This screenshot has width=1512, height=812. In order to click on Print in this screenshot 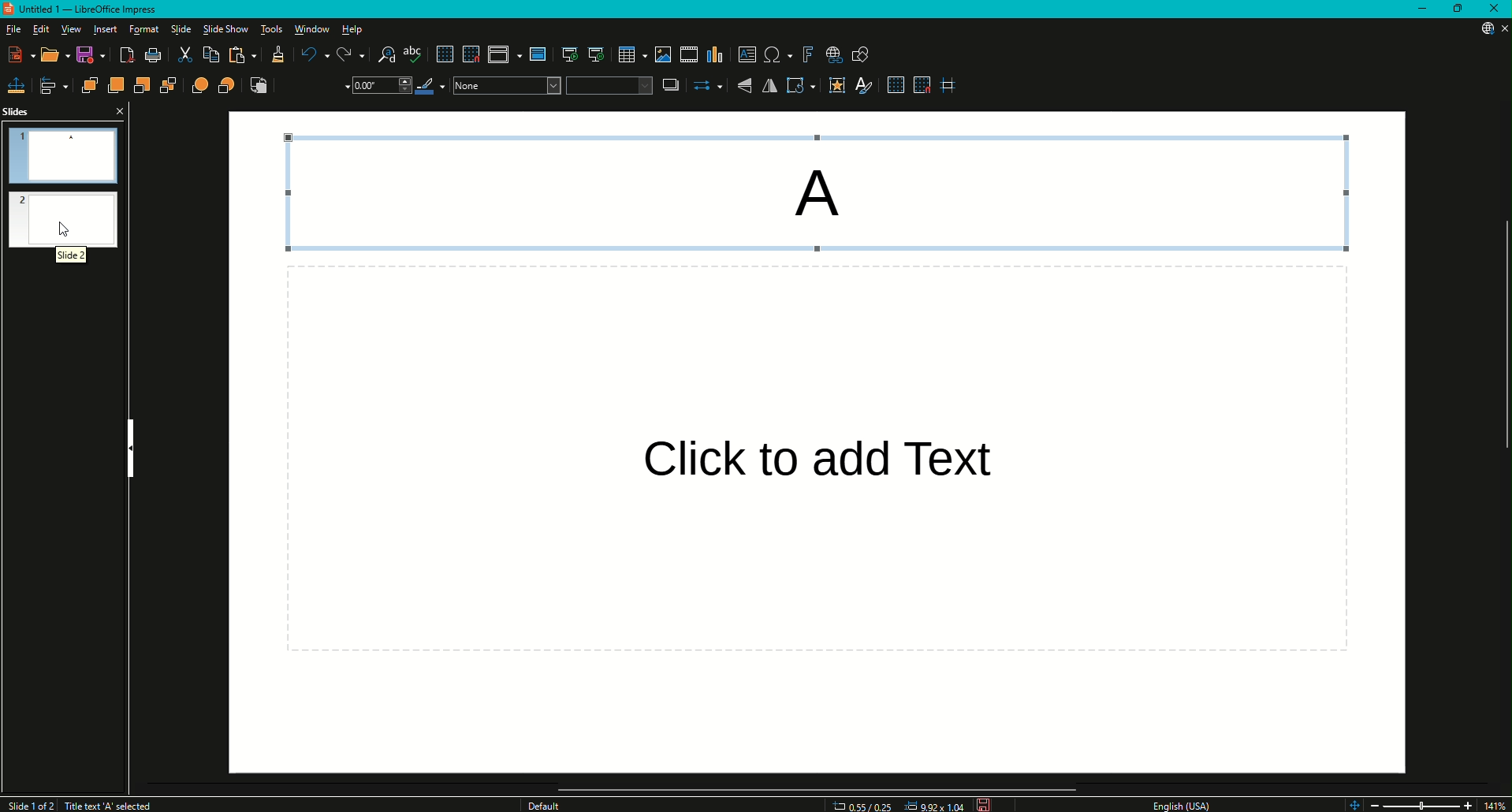, I will do `click(153, 54)`.